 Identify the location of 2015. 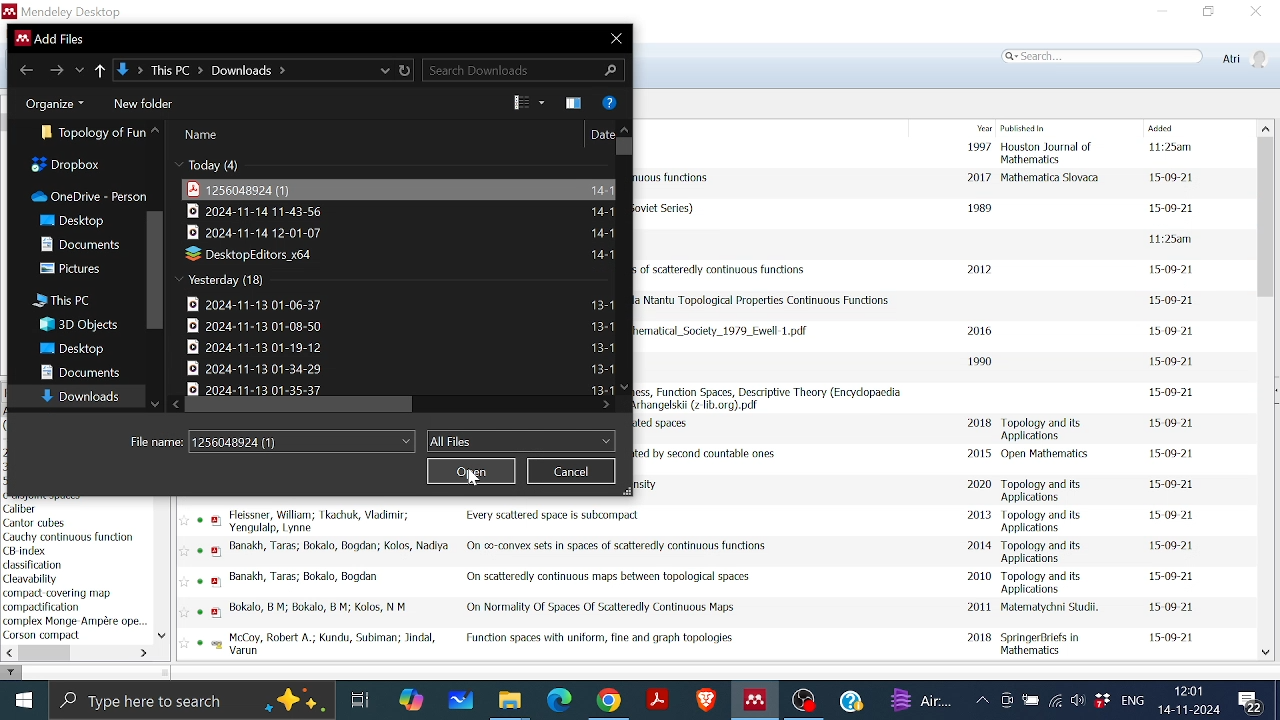
(976, 453).